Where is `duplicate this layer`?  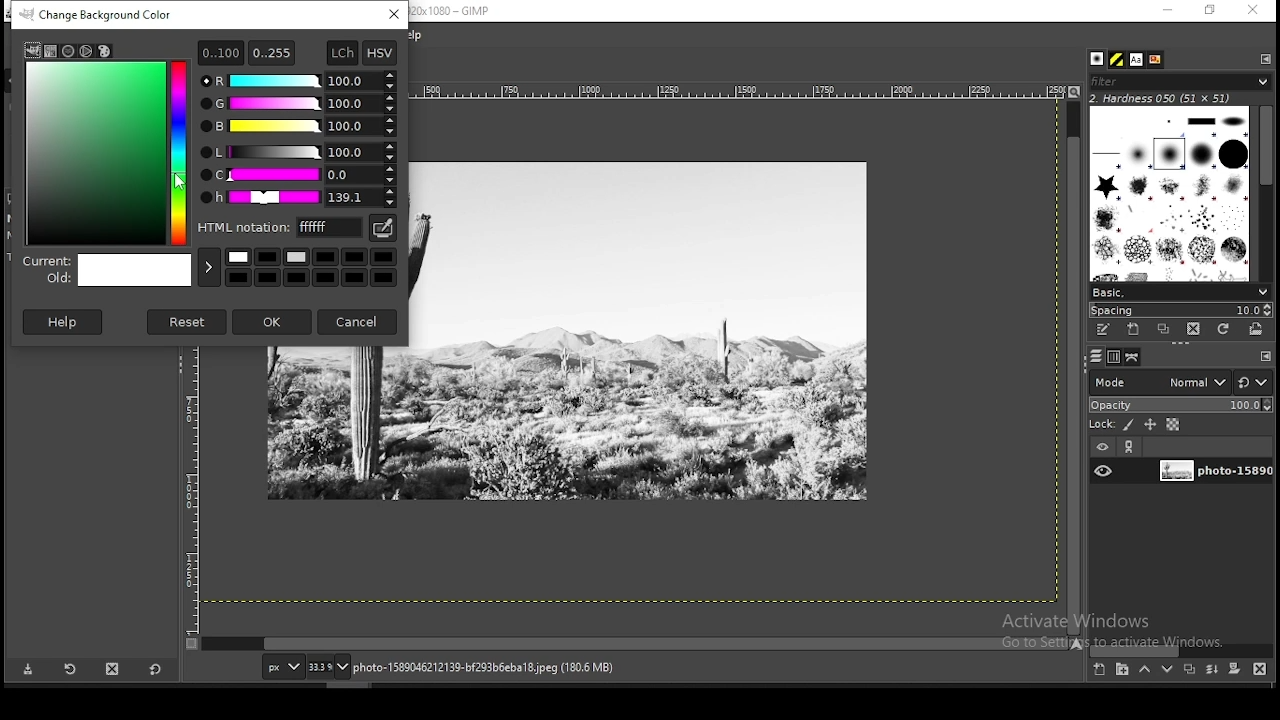
duplicate this layer is located at coordinates (1188, 669).